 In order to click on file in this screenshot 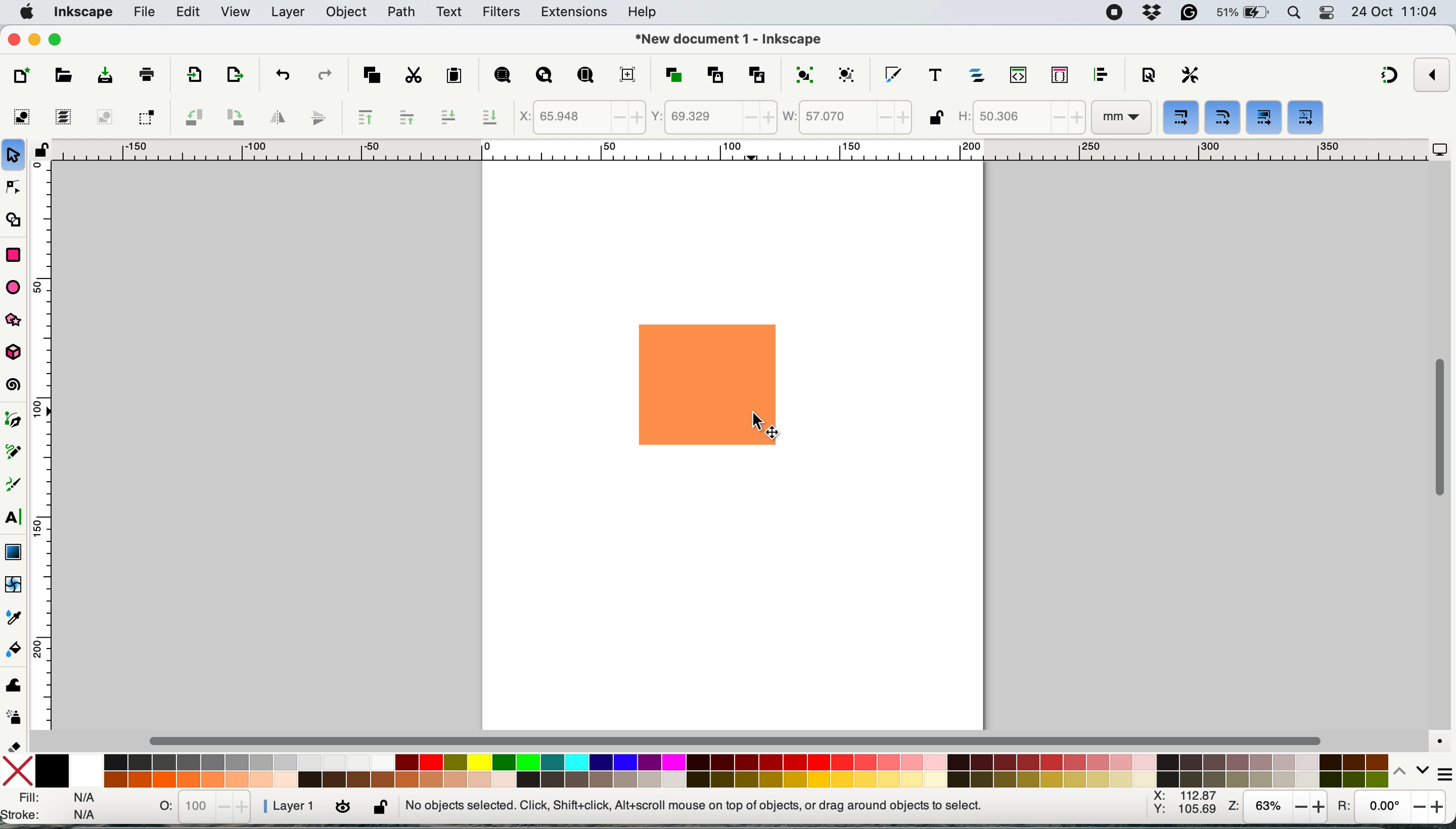, I will do `click(143, 13)`.